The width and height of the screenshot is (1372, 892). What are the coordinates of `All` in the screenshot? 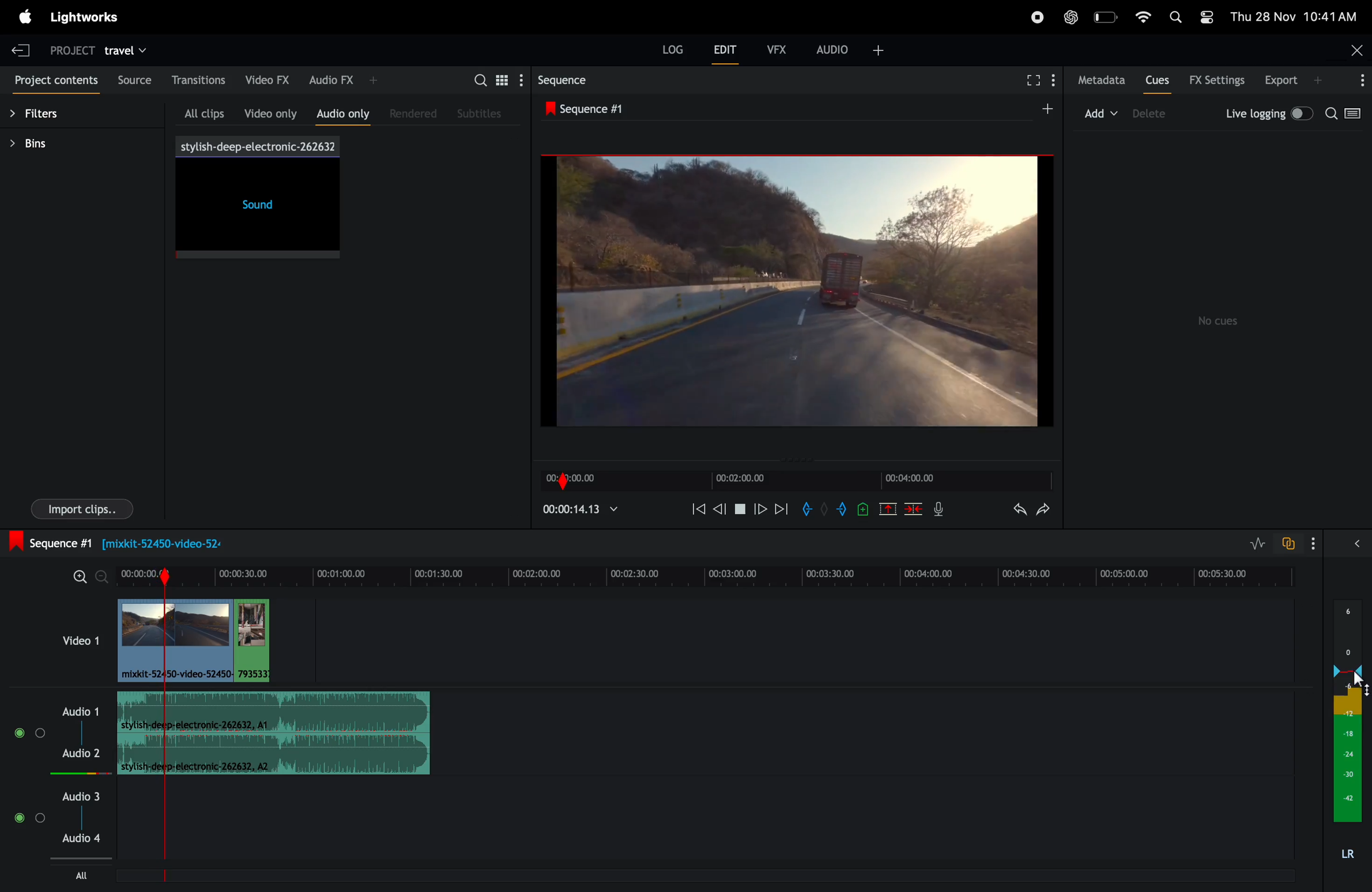 It's located at (80, 875).